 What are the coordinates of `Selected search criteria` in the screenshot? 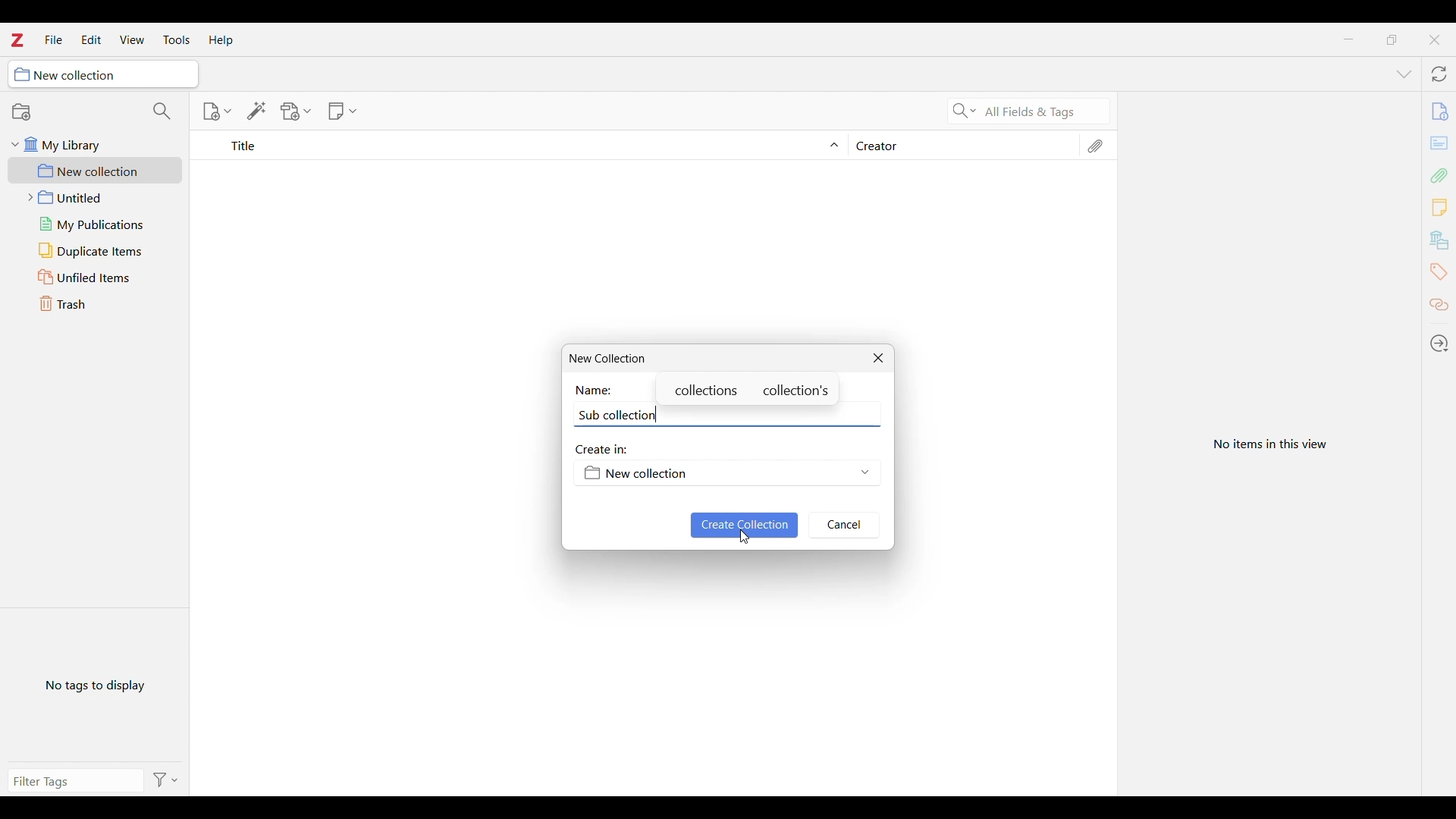 It's located at (1044, 111).